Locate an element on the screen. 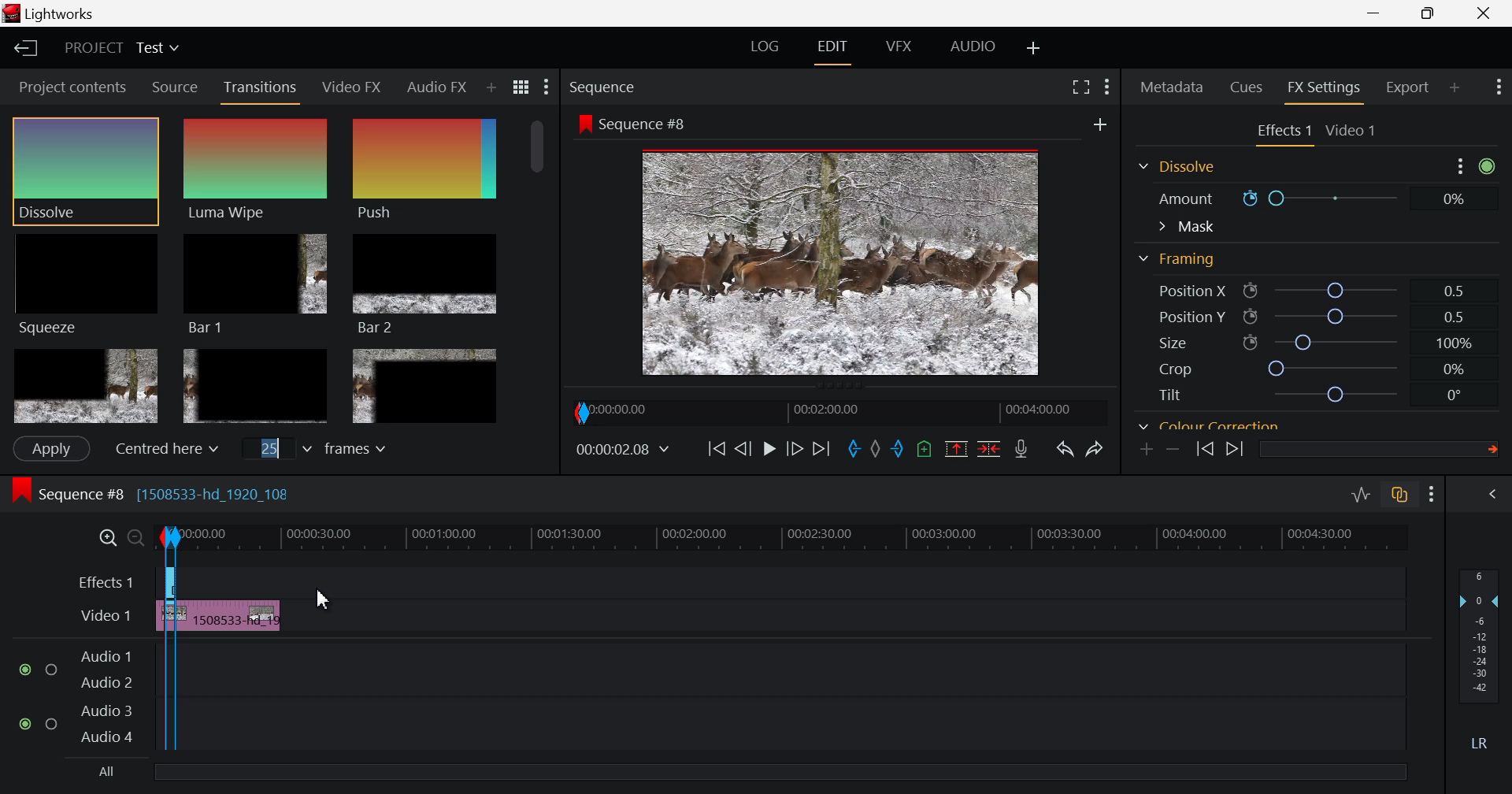  All is located at coordinates (109, 773).